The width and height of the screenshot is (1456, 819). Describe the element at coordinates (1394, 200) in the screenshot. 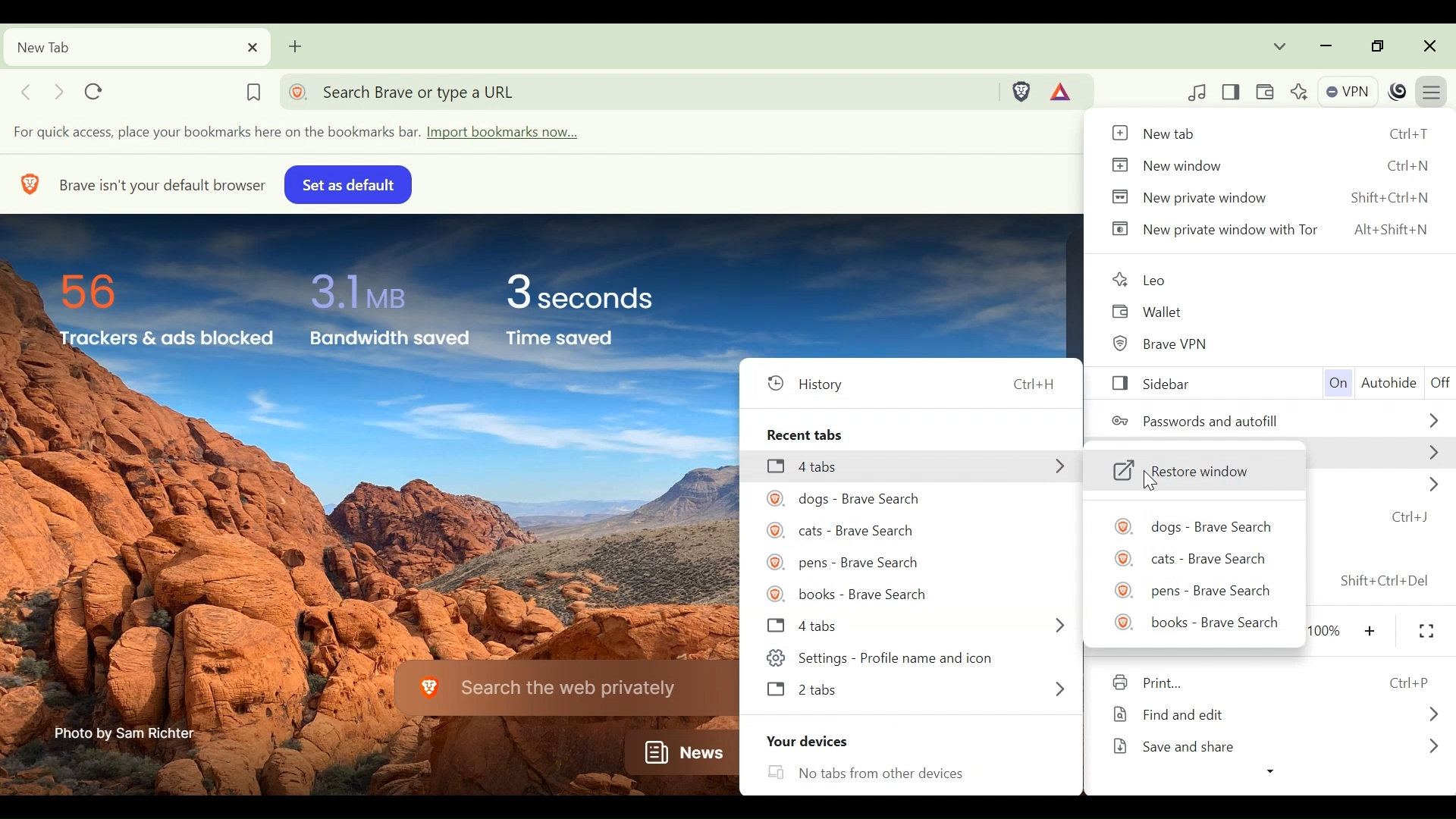

I see `Shift+Ctrl+N` at that location.